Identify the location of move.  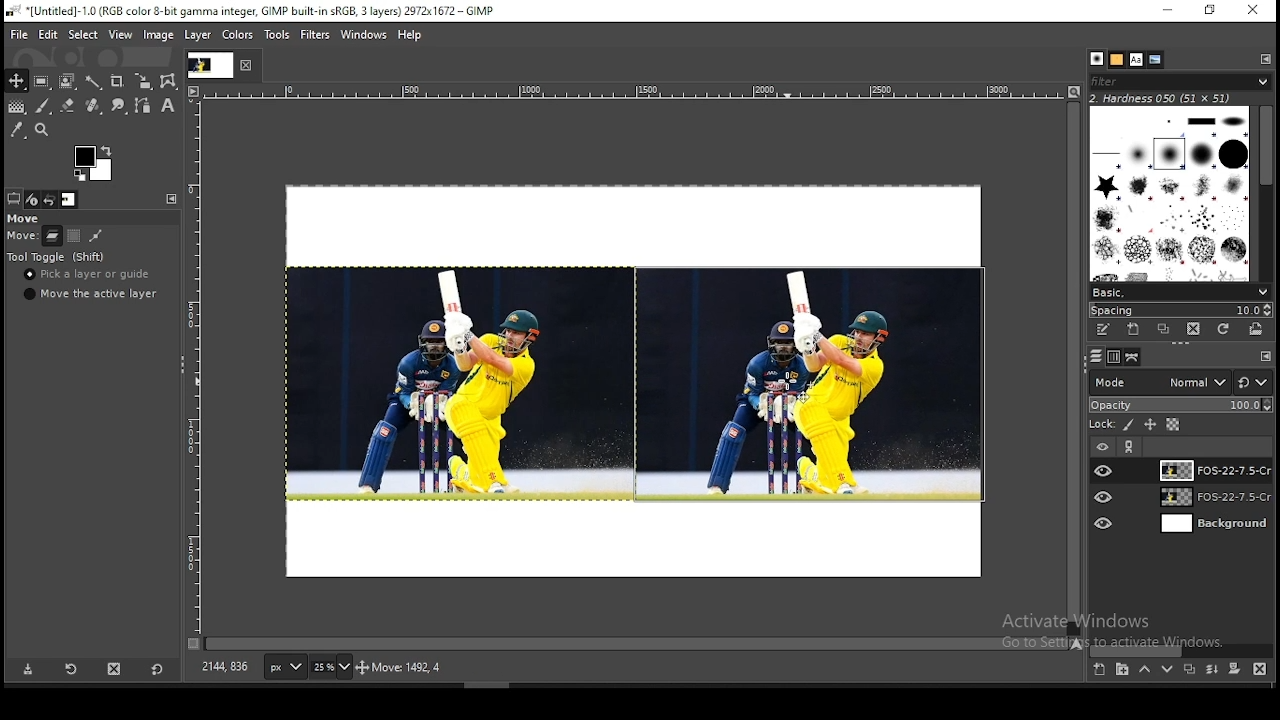
(25, 219).